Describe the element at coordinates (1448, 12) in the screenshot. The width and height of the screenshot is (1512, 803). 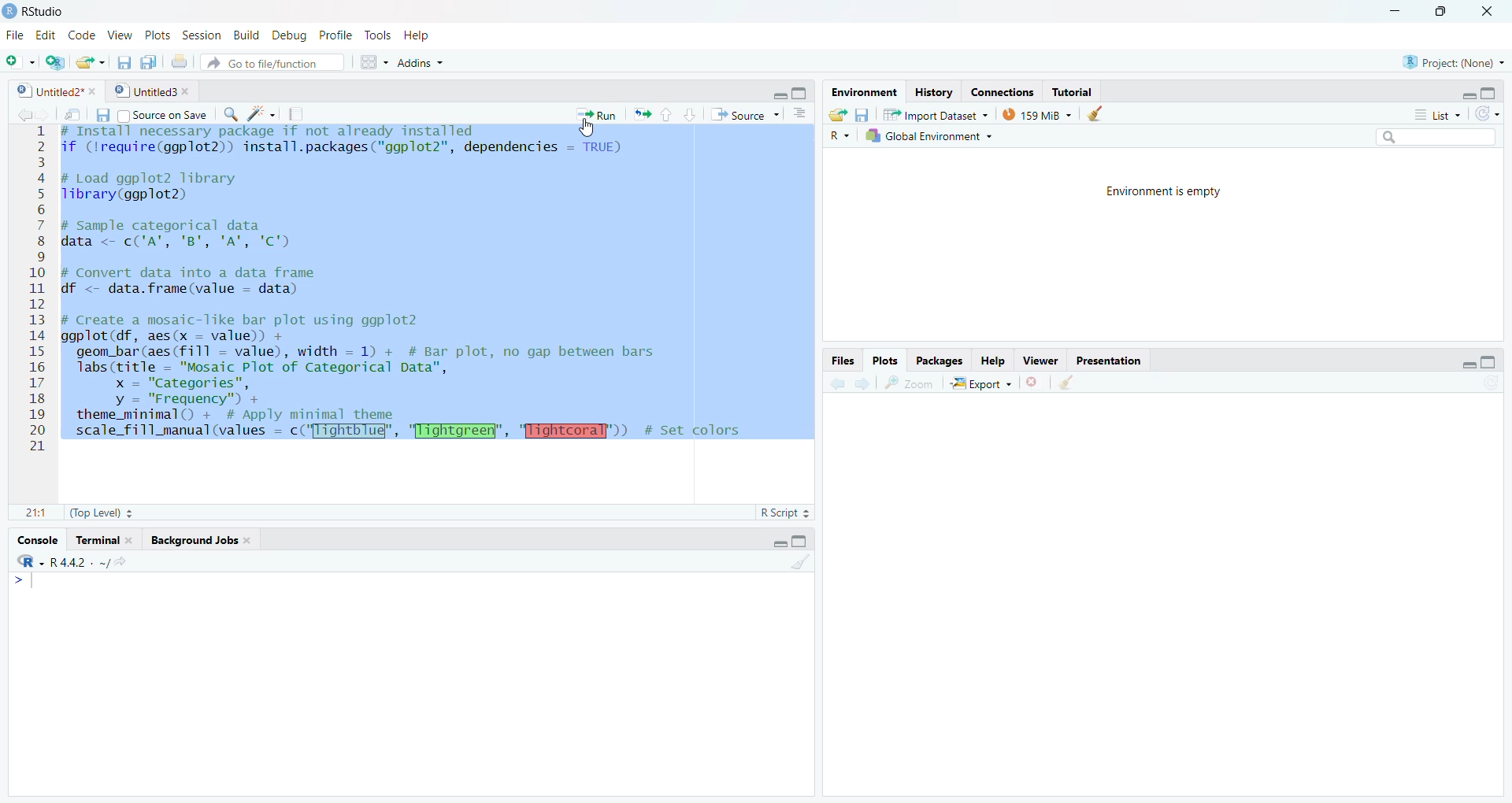
I see `Restore Down` at that location.